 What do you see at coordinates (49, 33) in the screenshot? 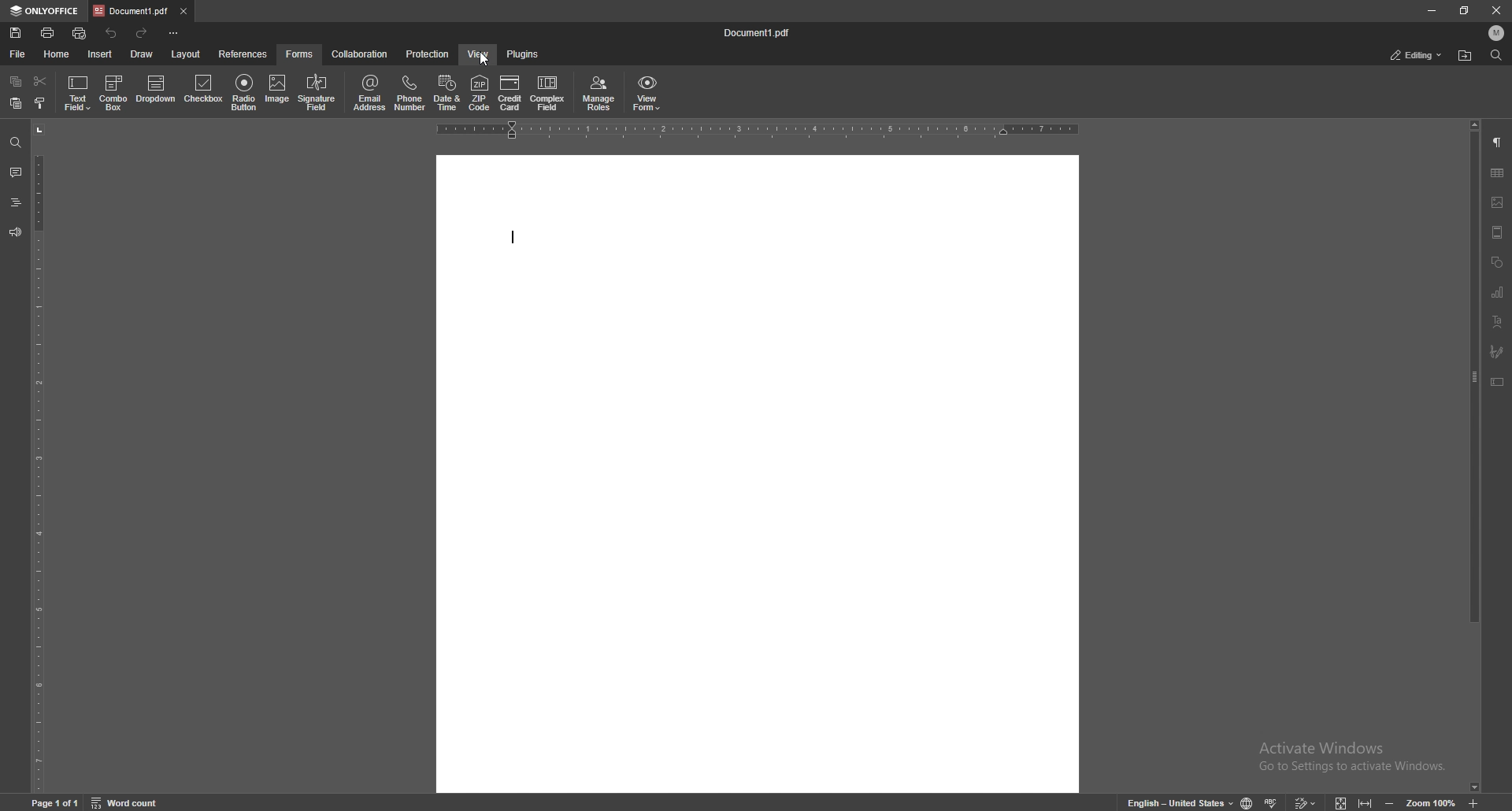
I see `print` at bounding box center [49, 33].